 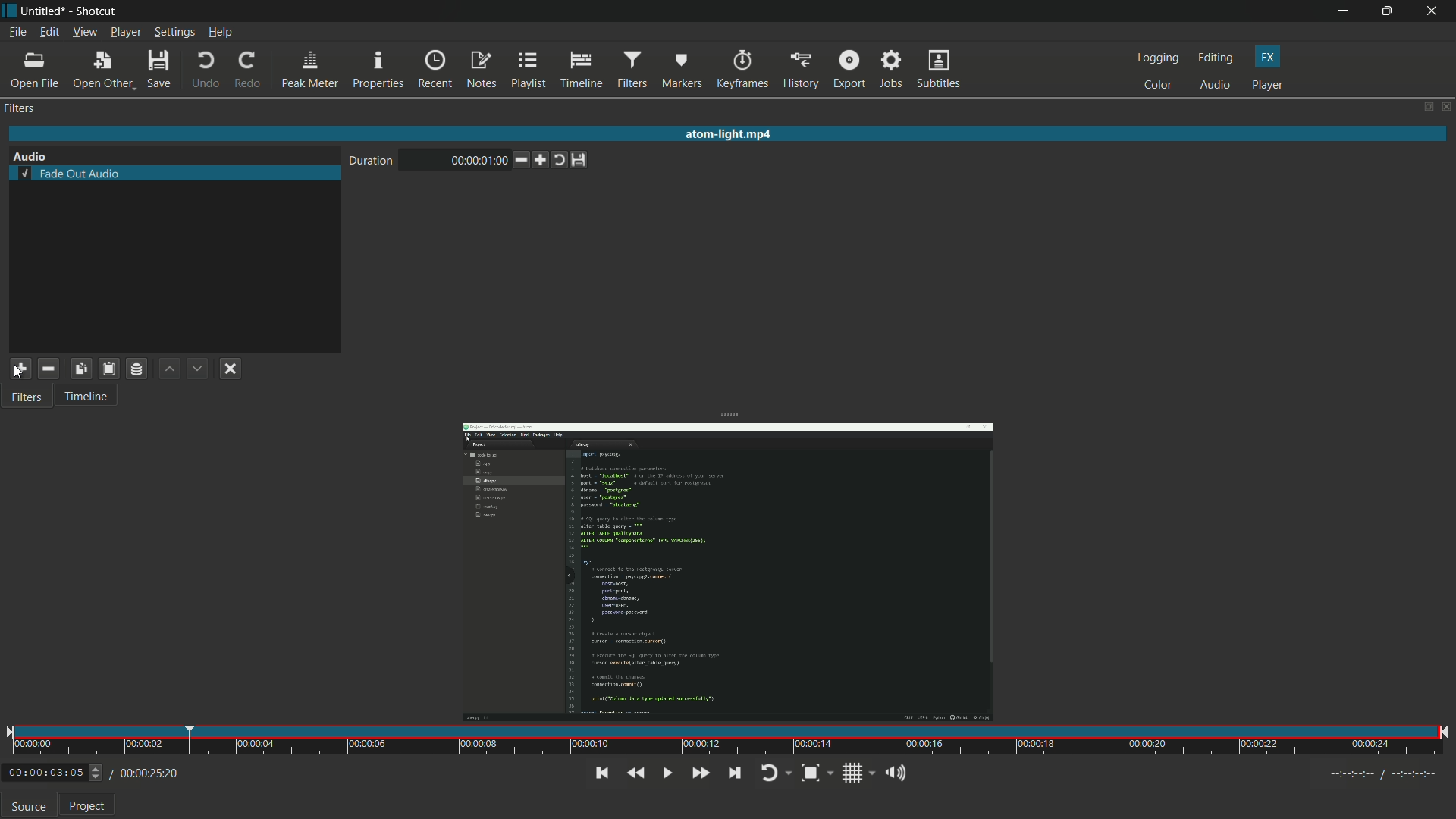 What do you see at coordinates (730, 136) in the screenshot?
I see `imported file name` at bounding box center [730, 136].